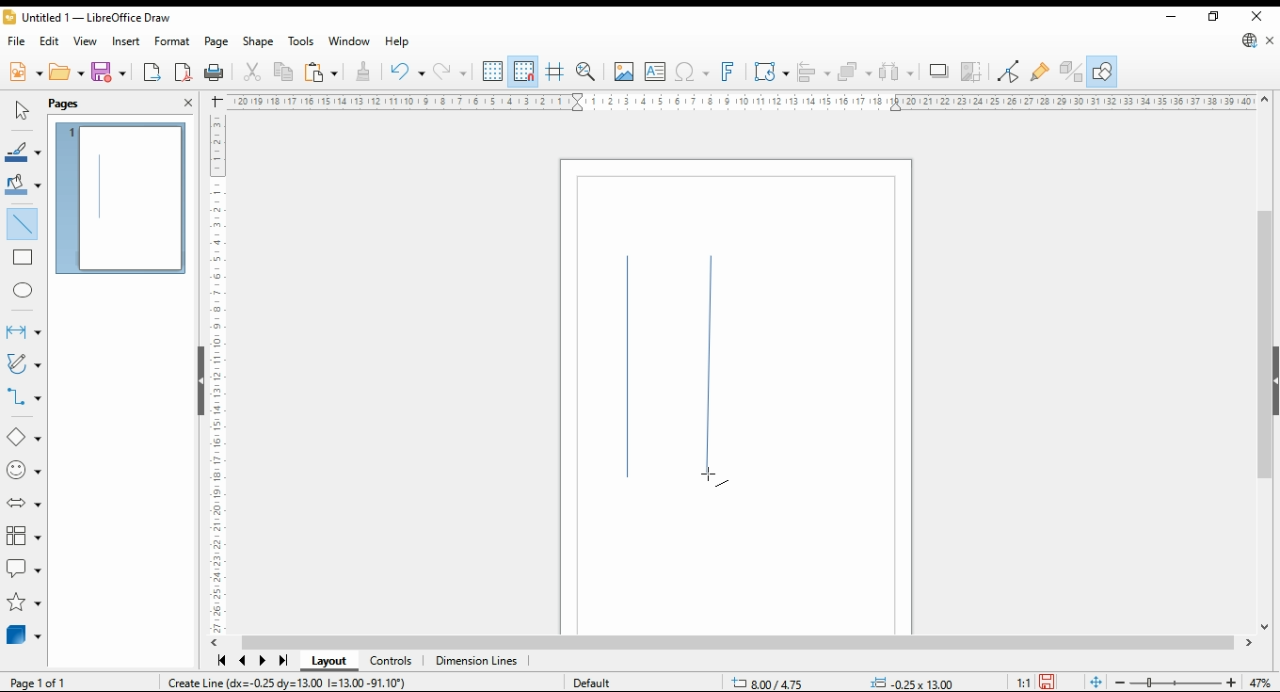 This screenshot has width=1280, height=692. Describe the element at coordinates (814, 71) in the screenshot. I see `align objects` at that location.